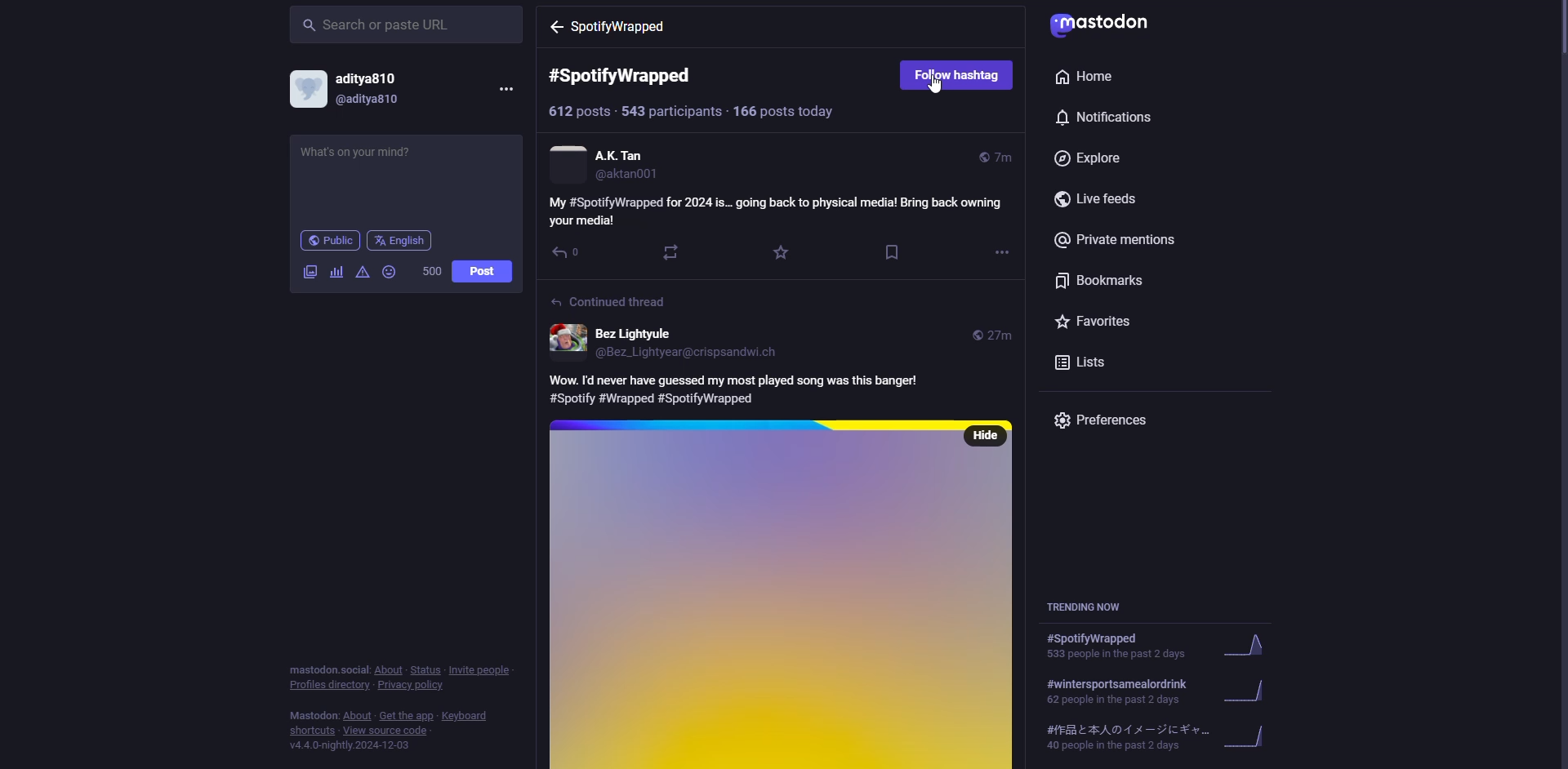 The width and height of the screenshot is (1568, 769). I want to click on account, so click(671, 341).